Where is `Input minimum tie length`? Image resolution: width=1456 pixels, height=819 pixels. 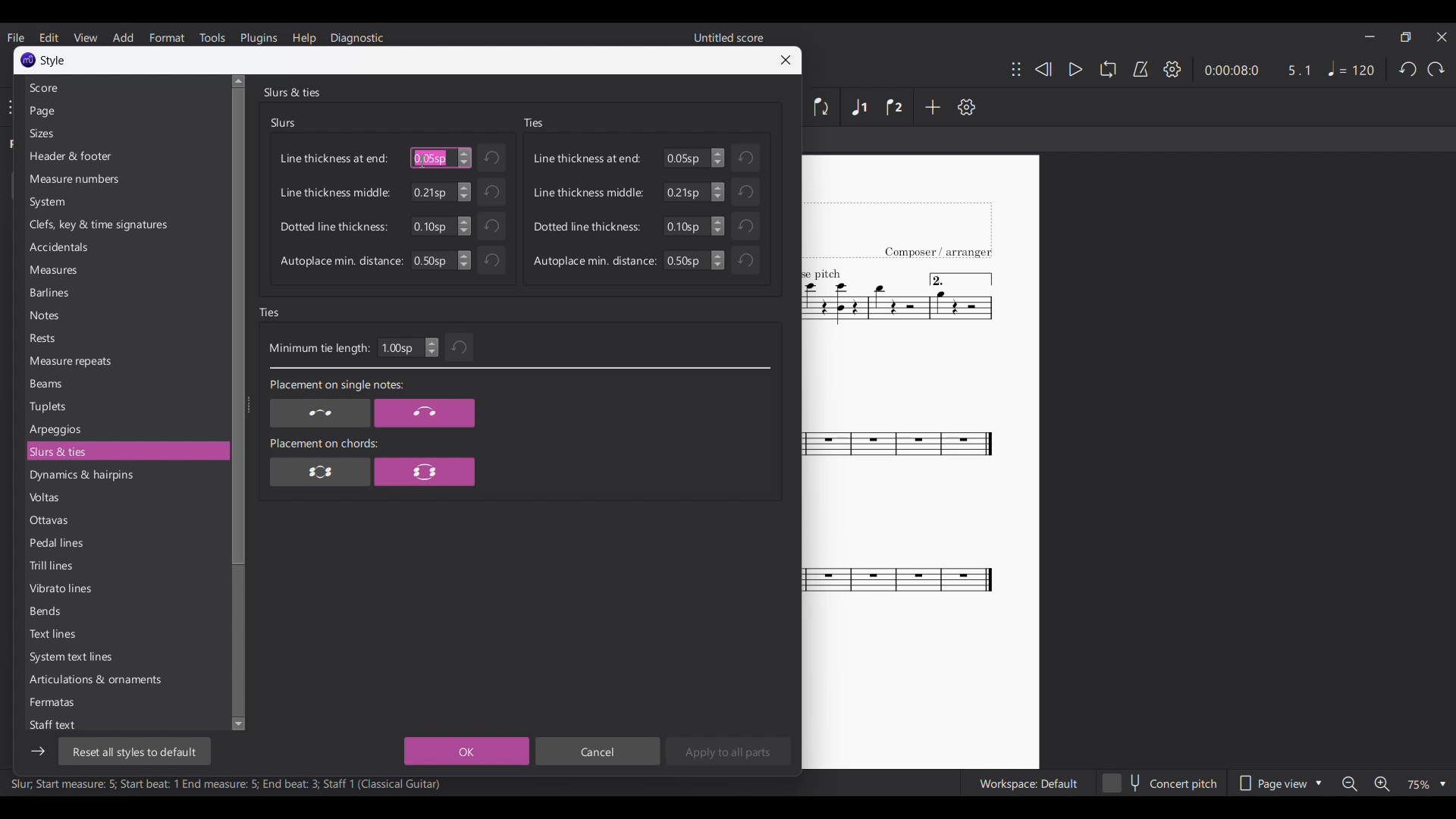
Input minimum tie length is located at coordinates (400, 347).